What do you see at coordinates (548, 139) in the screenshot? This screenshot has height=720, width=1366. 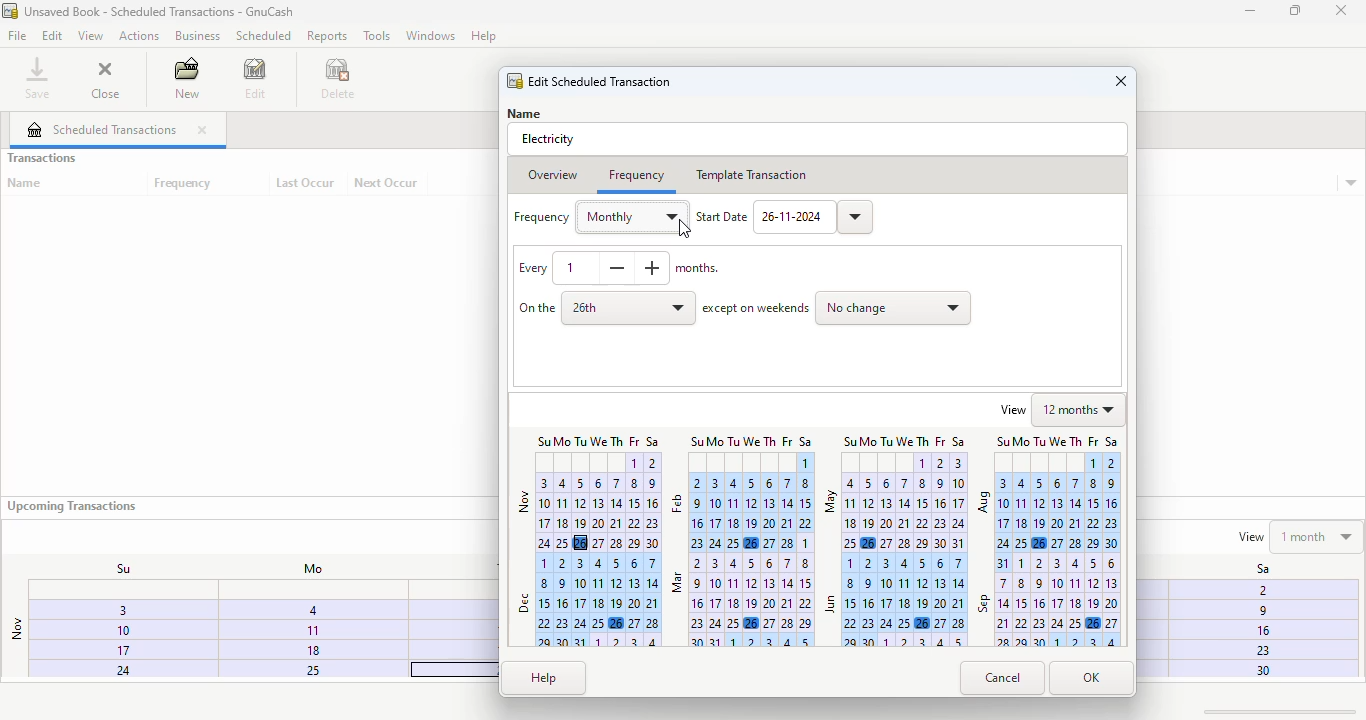 I see `Electricity` at bounding box center [548, 139].